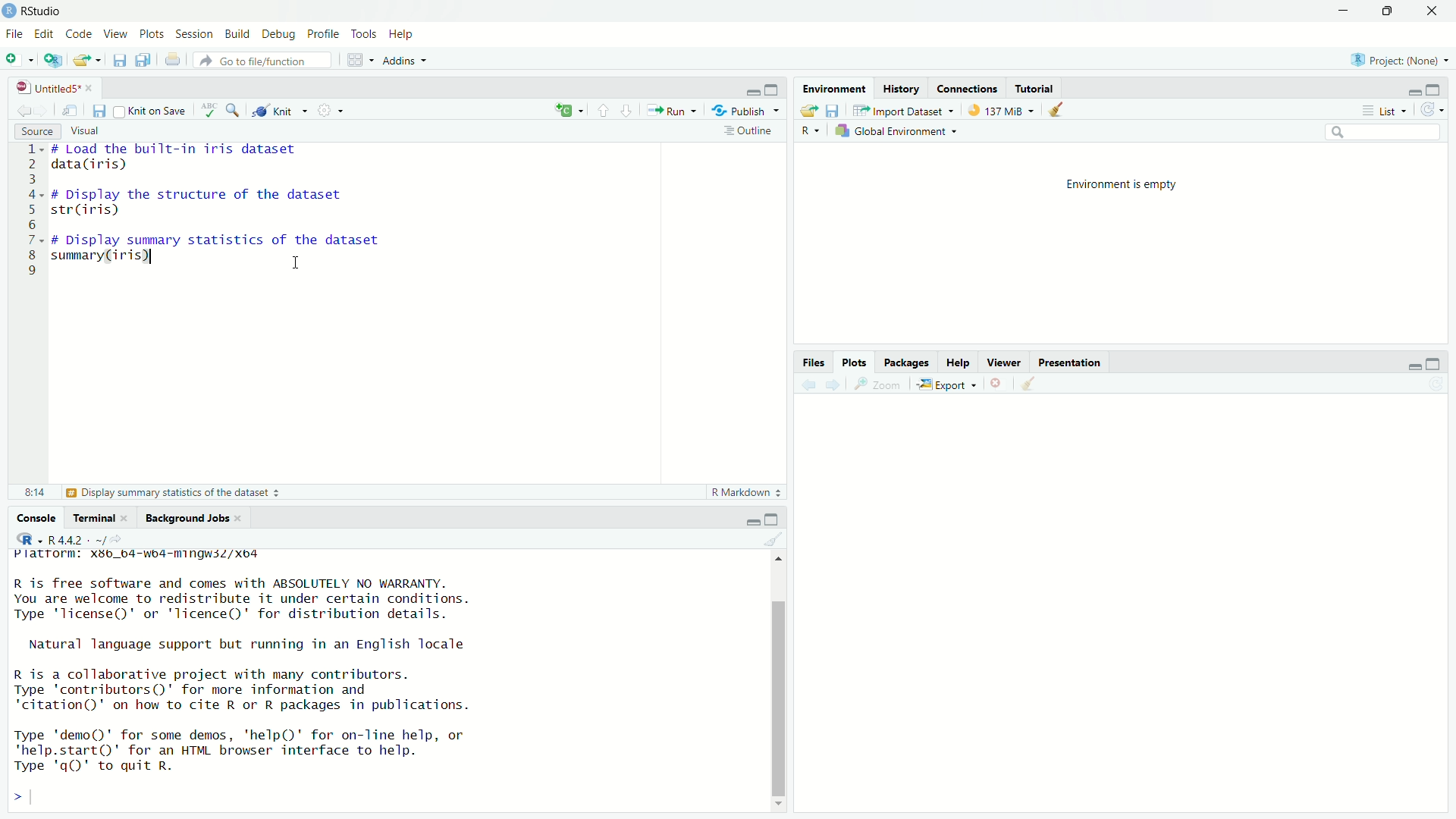  What do you see at coordinates (745, 109) in the screenshot?
I see `“4% Publish ~` at bounding box center [745, 109].